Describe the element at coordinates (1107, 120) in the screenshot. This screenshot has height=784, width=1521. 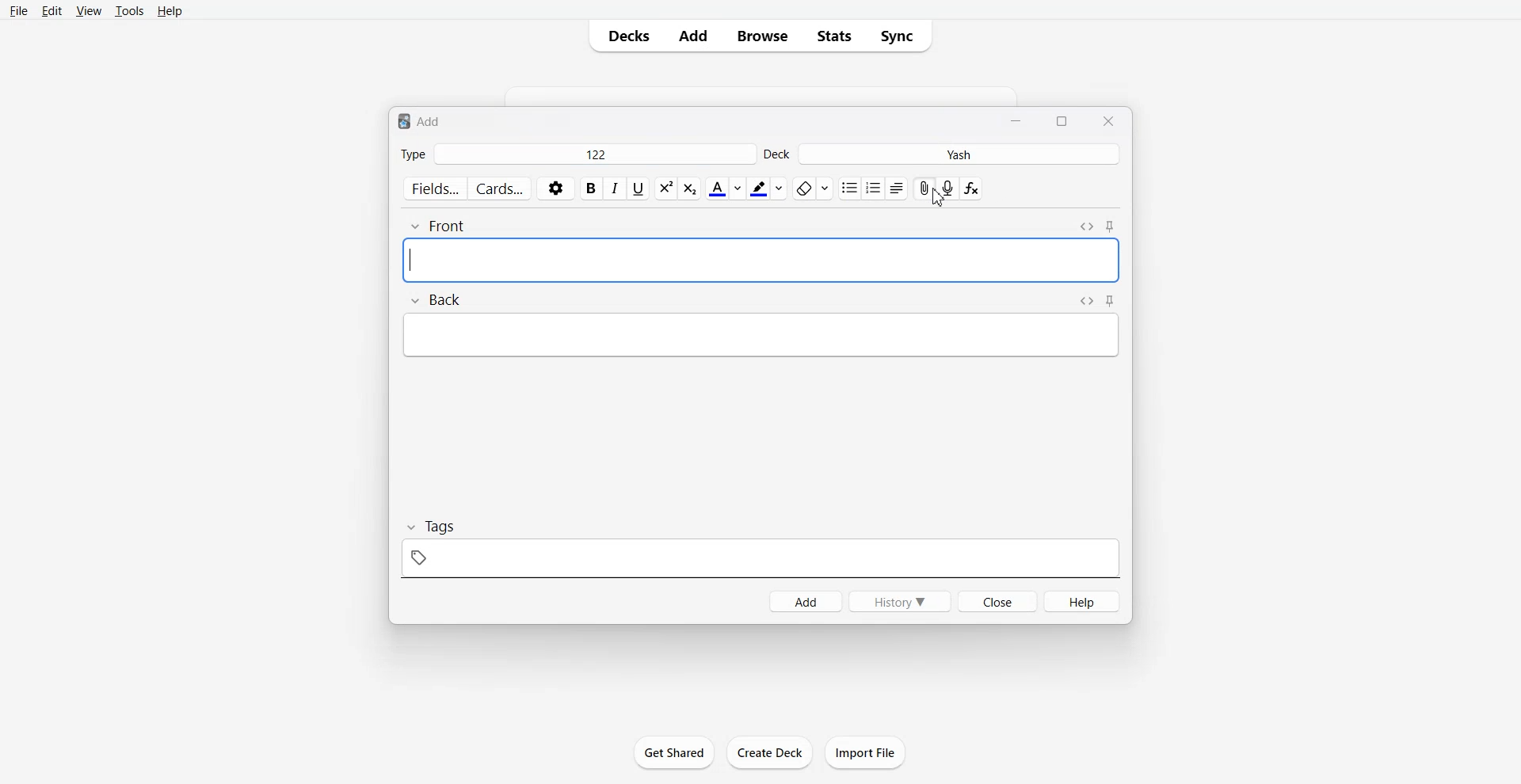
I see `Close` at that location.